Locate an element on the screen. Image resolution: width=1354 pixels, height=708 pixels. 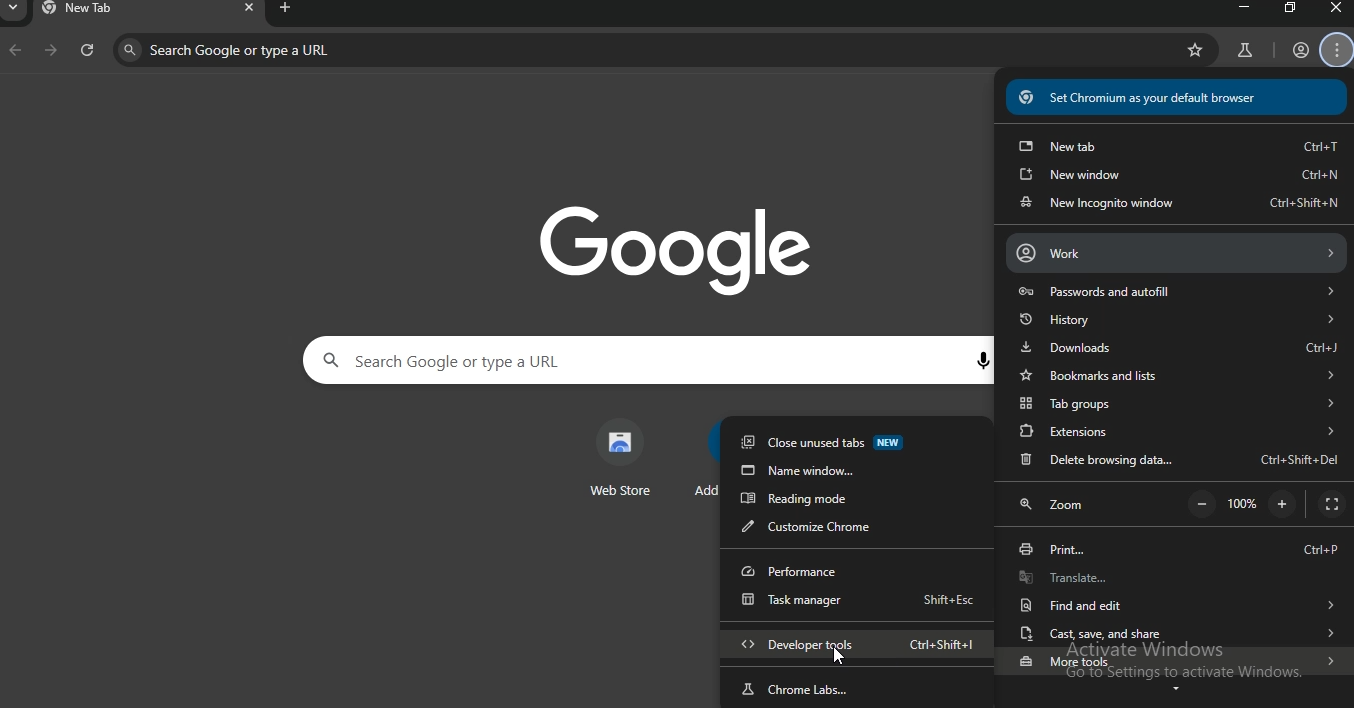
more tools is located at coordinates (1179, 665).